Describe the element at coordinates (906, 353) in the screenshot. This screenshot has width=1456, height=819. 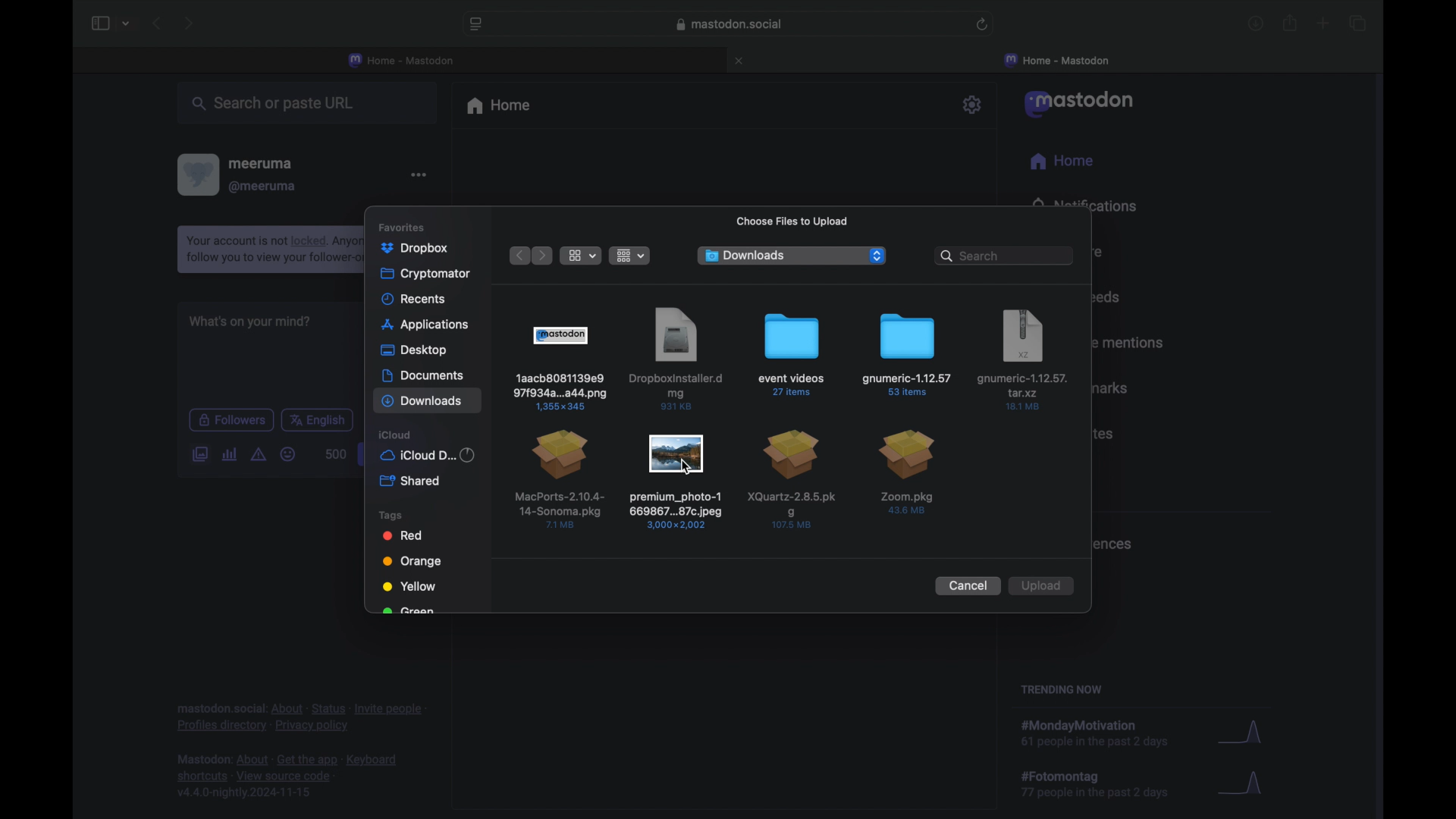
I see `folder` at that location.